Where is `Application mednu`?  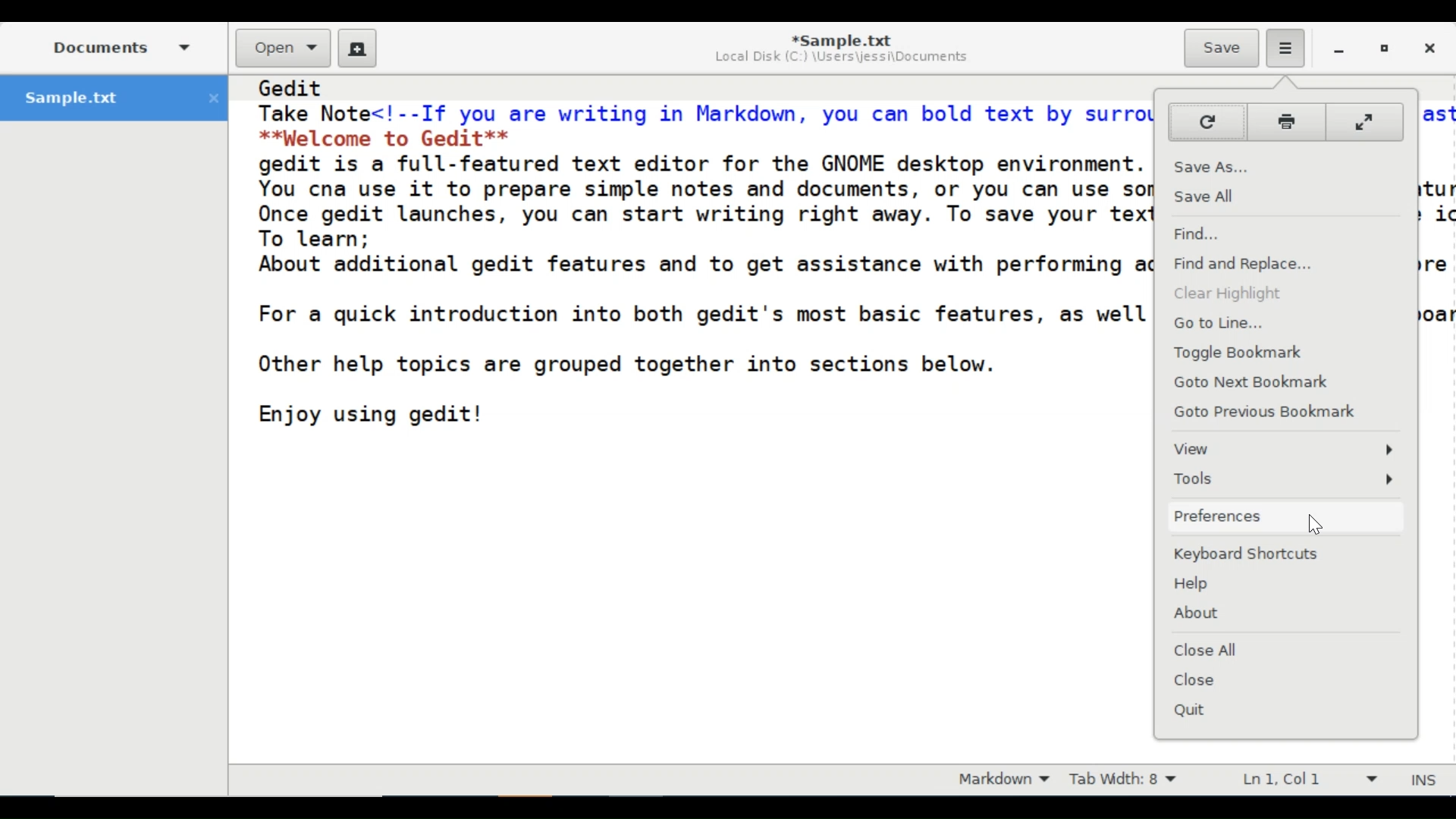
Application mednu is located at coordinates (1286, 48).